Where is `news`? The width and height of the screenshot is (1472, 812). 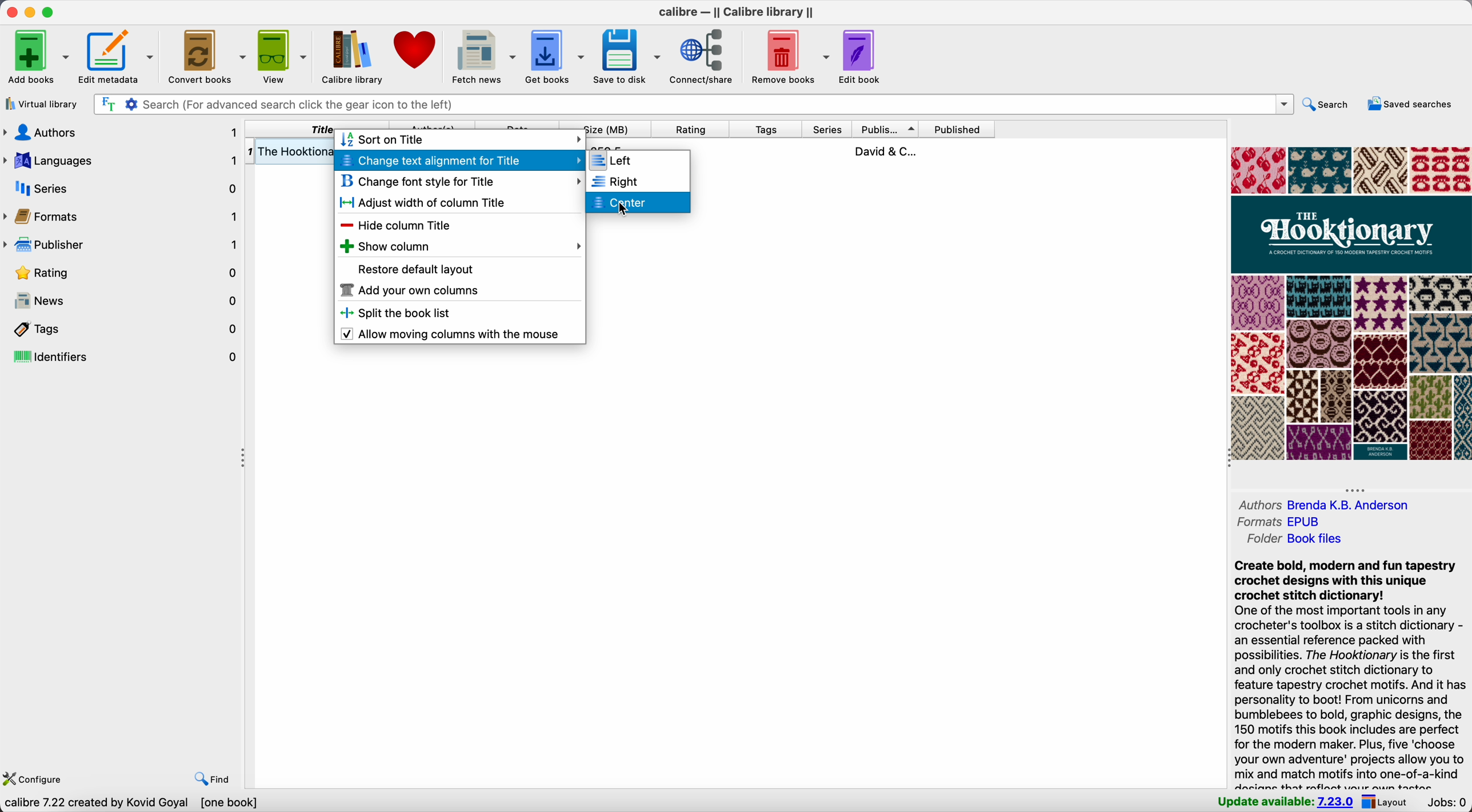 news is located at coordinates (122, 302).